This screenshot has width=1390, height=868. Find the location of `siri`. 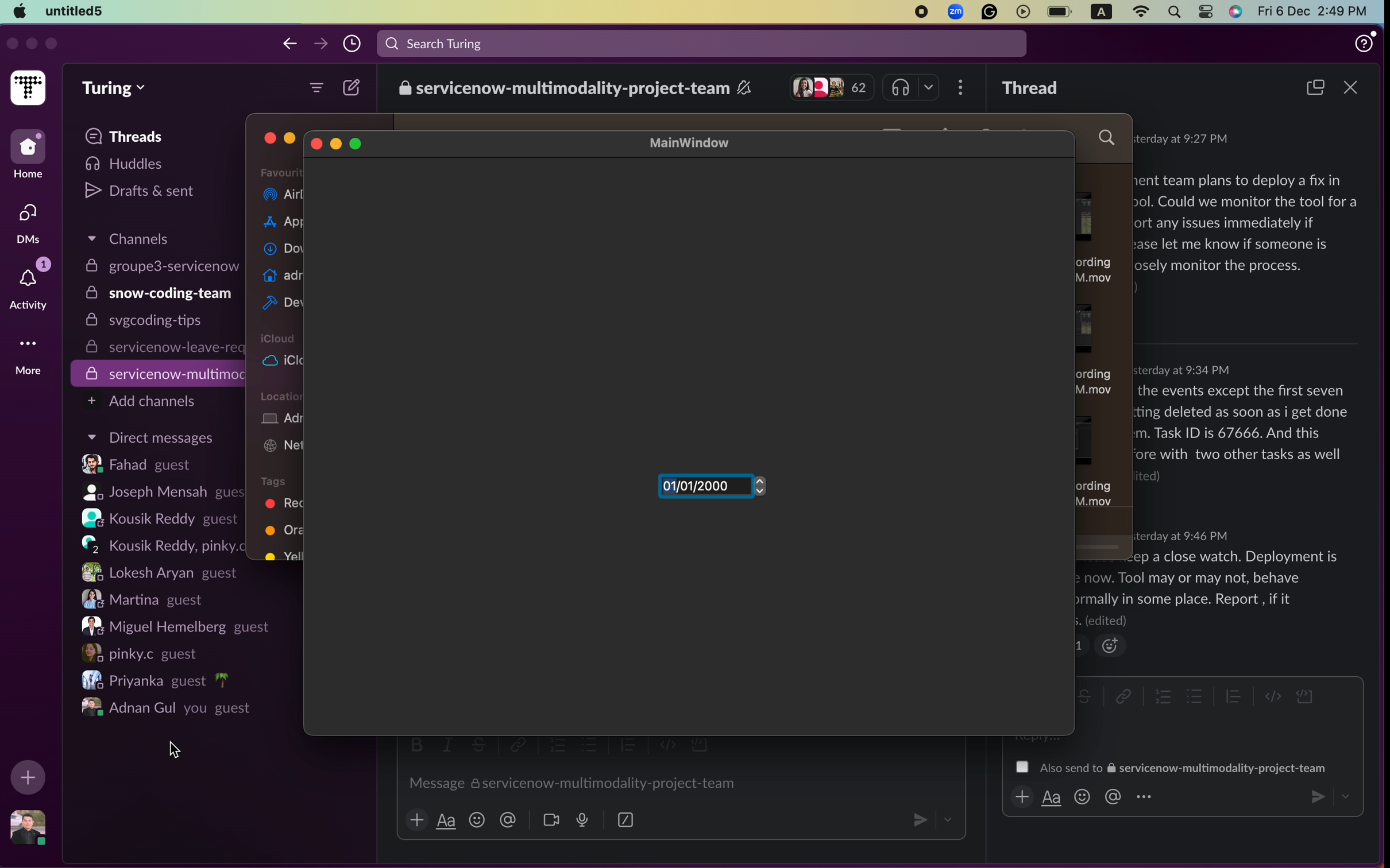

siri is located at coordinates (1237, 13).